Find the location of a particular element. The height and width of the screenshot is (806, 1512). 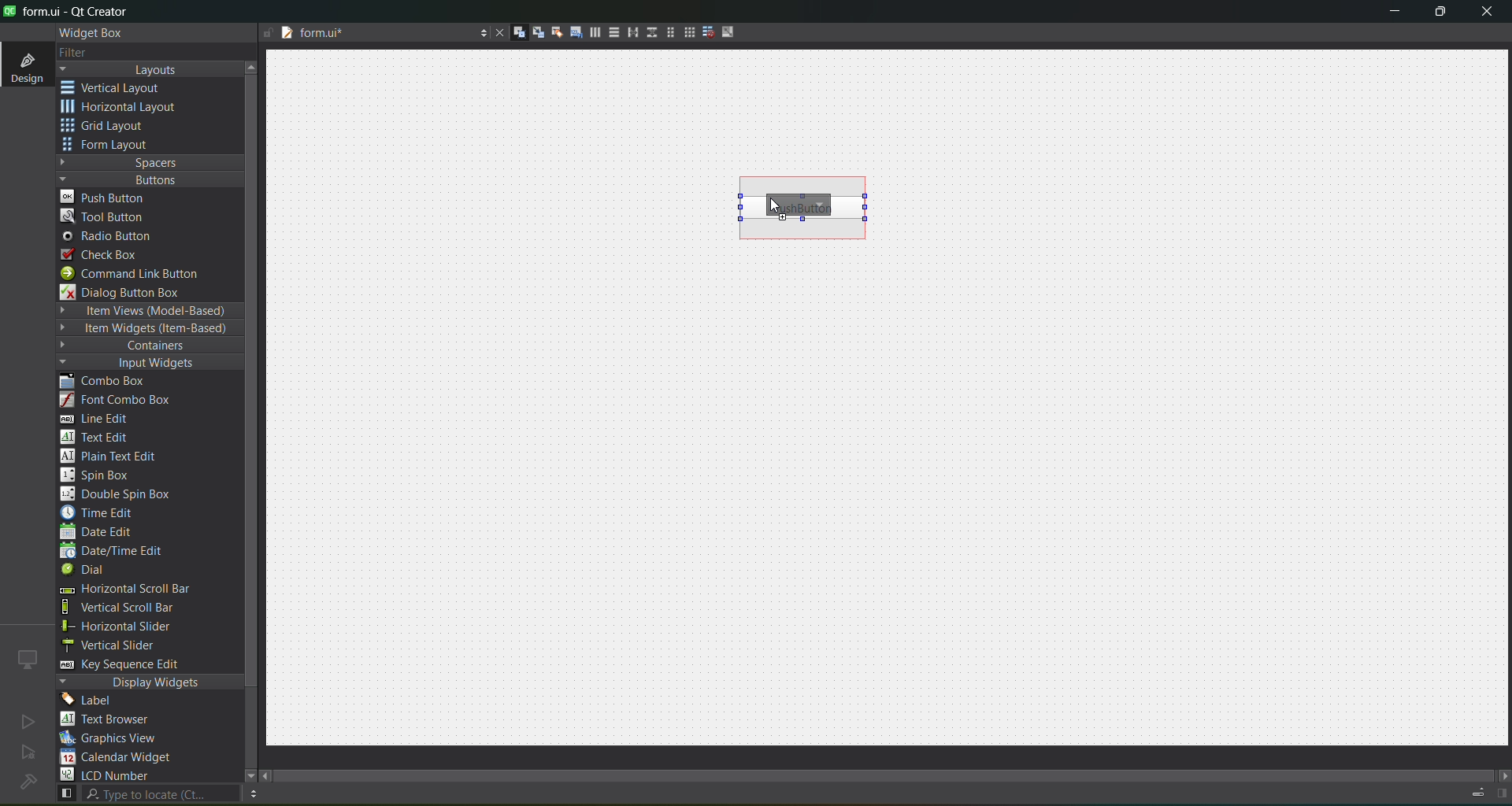

no active project is located at coordinates (28, 753).